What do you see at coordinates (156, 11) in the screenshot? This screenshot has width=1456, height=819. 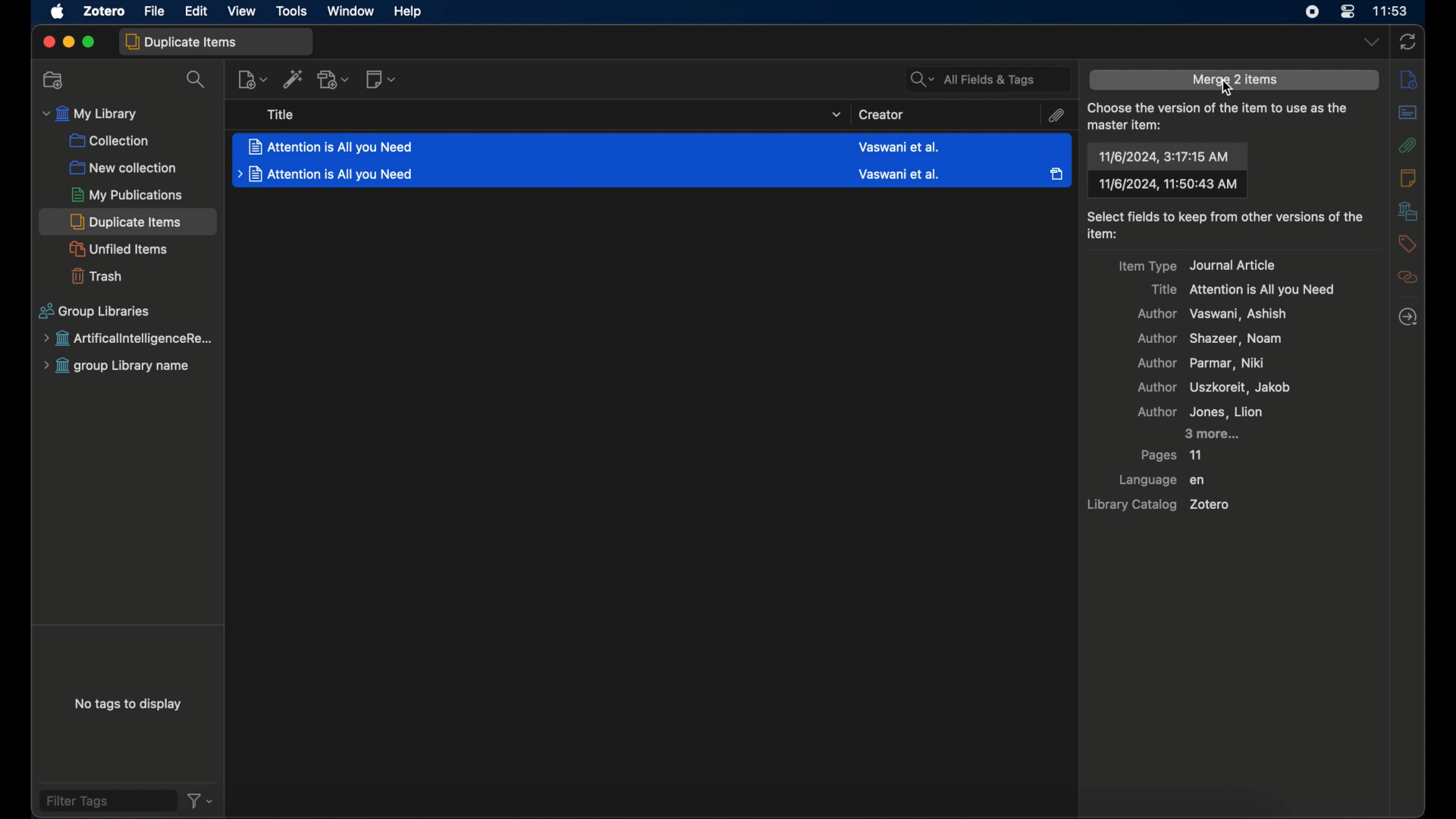 I see `file` at bounding box center [156, 11].